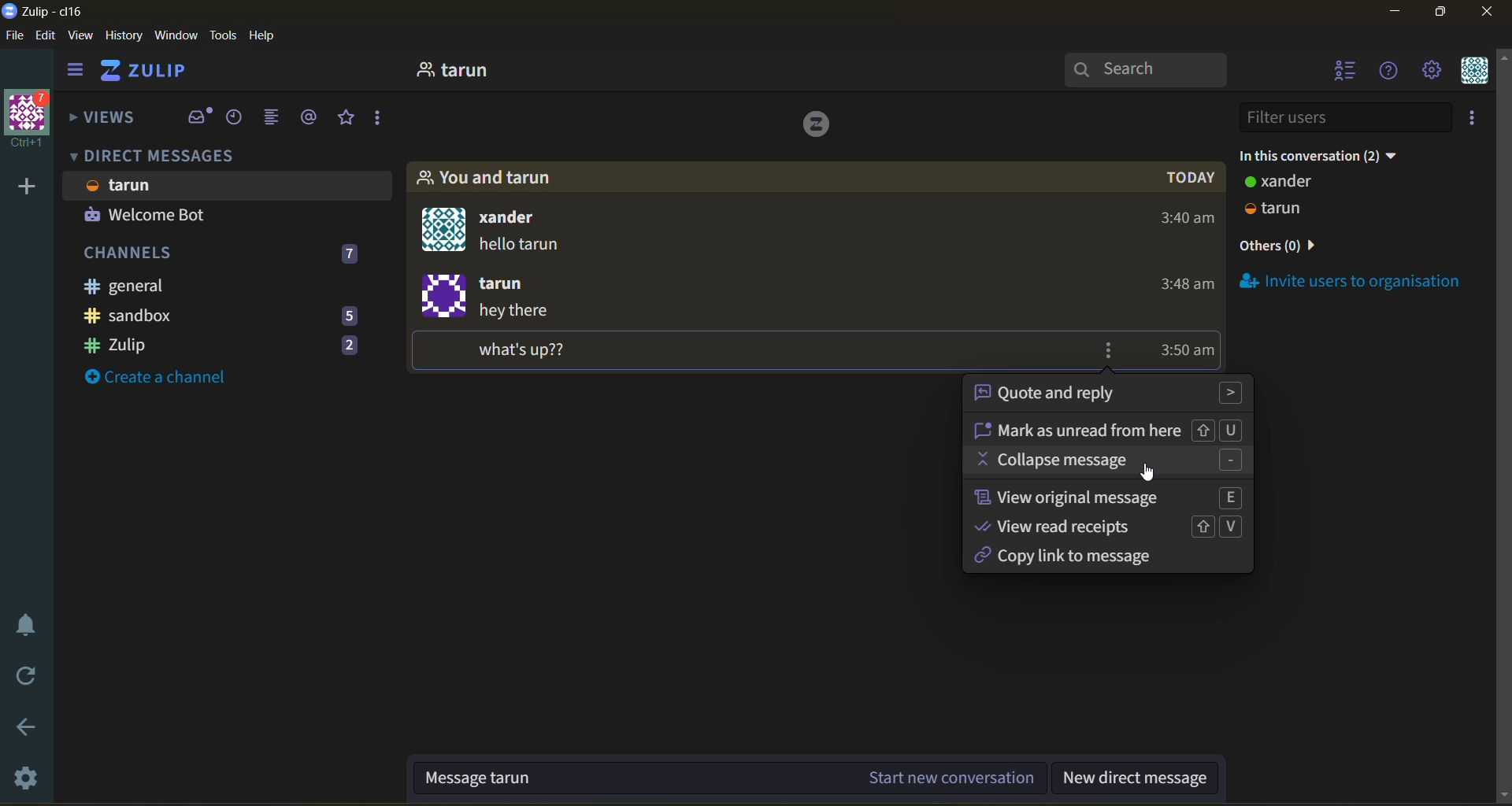  What do you see at coordinates (1398, 12) in the screenshot?
I see `minimize` at bounding box center [1398, 12].